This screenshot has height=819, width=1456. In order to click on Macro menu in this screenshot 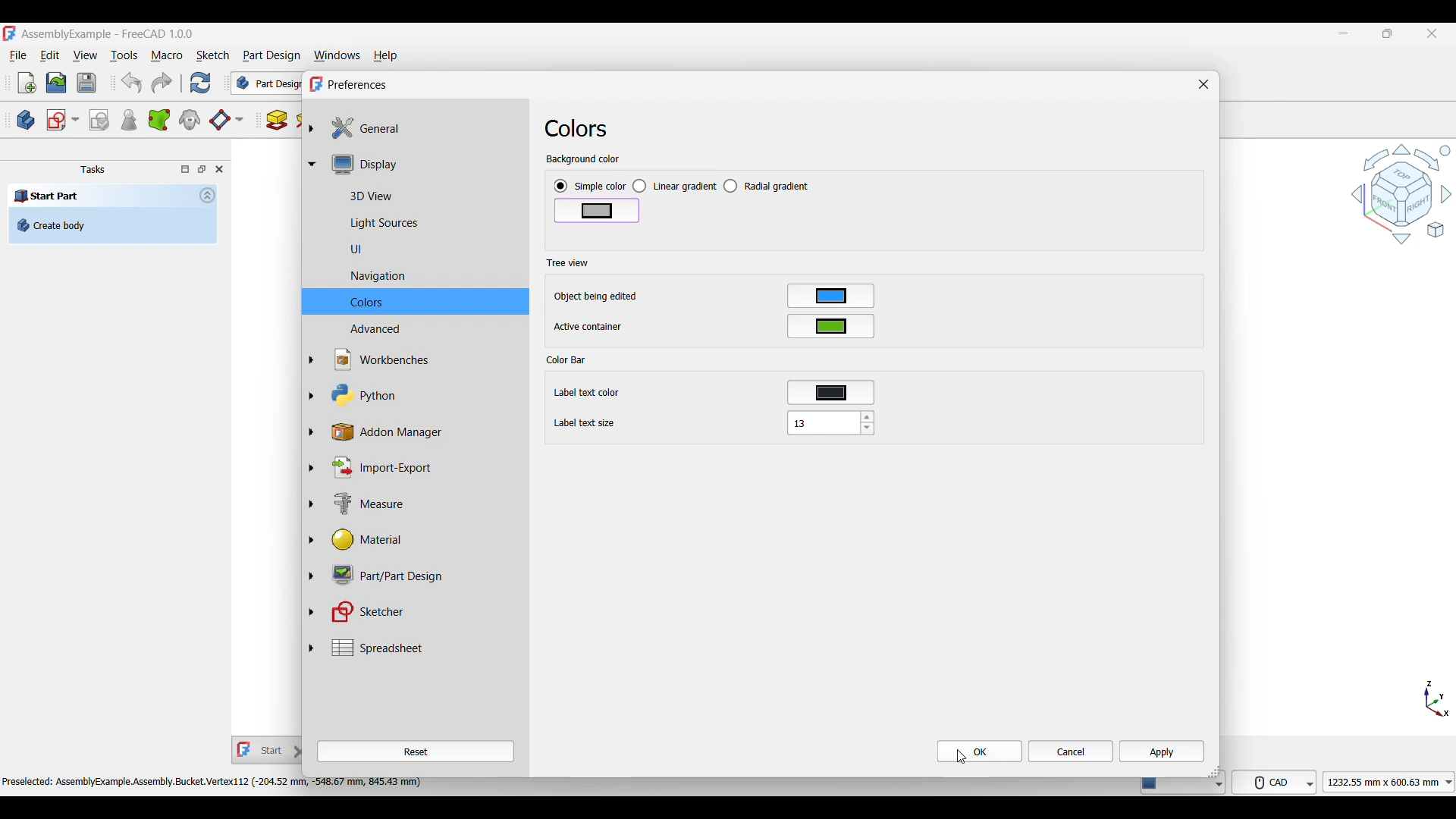, I will do `click(167, 56)`.